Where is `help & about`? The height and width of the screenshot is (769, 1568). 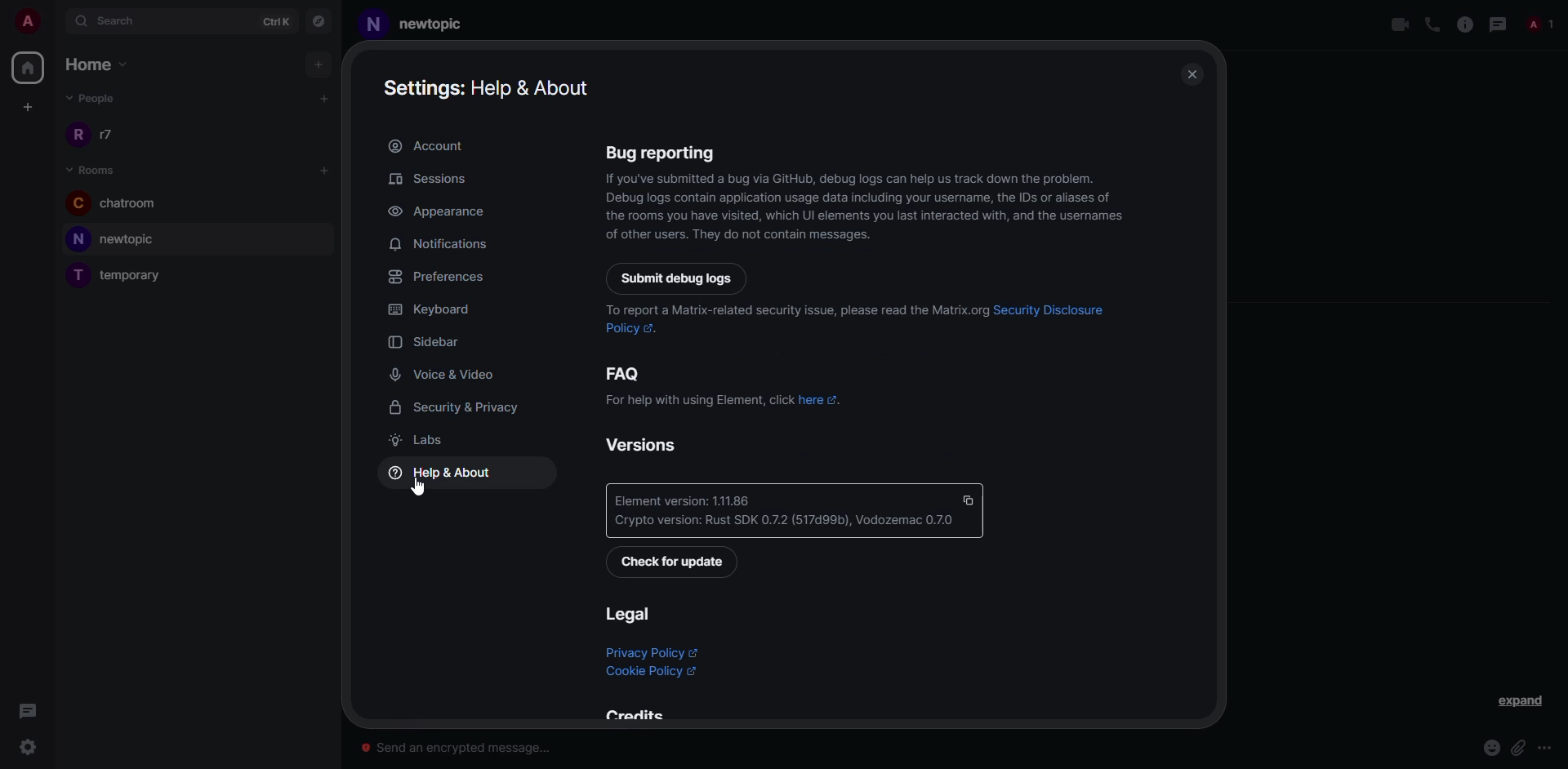 help & about is located at coordinates (502, 90).